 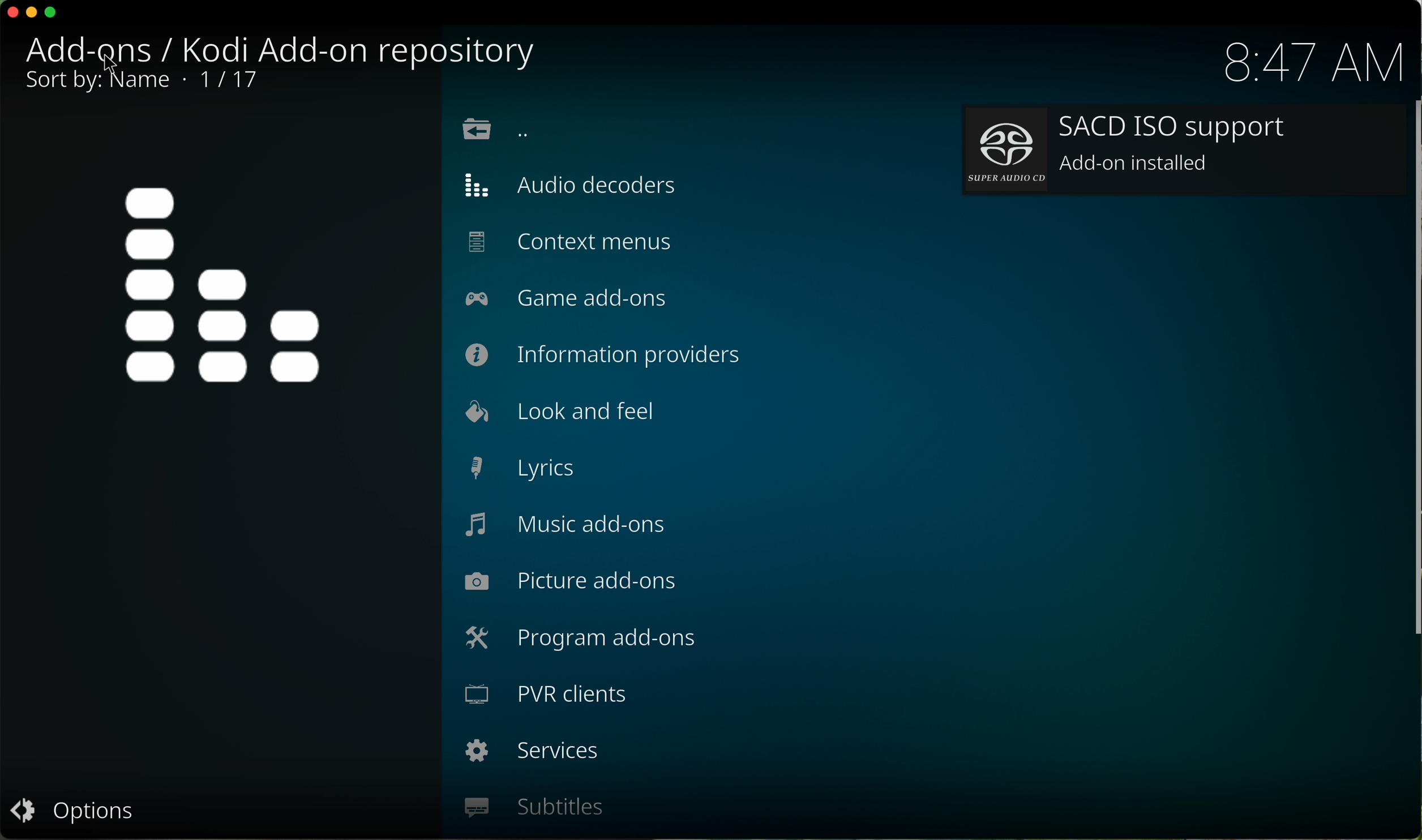 I want to click on information providers, so click(x=607, y=354).